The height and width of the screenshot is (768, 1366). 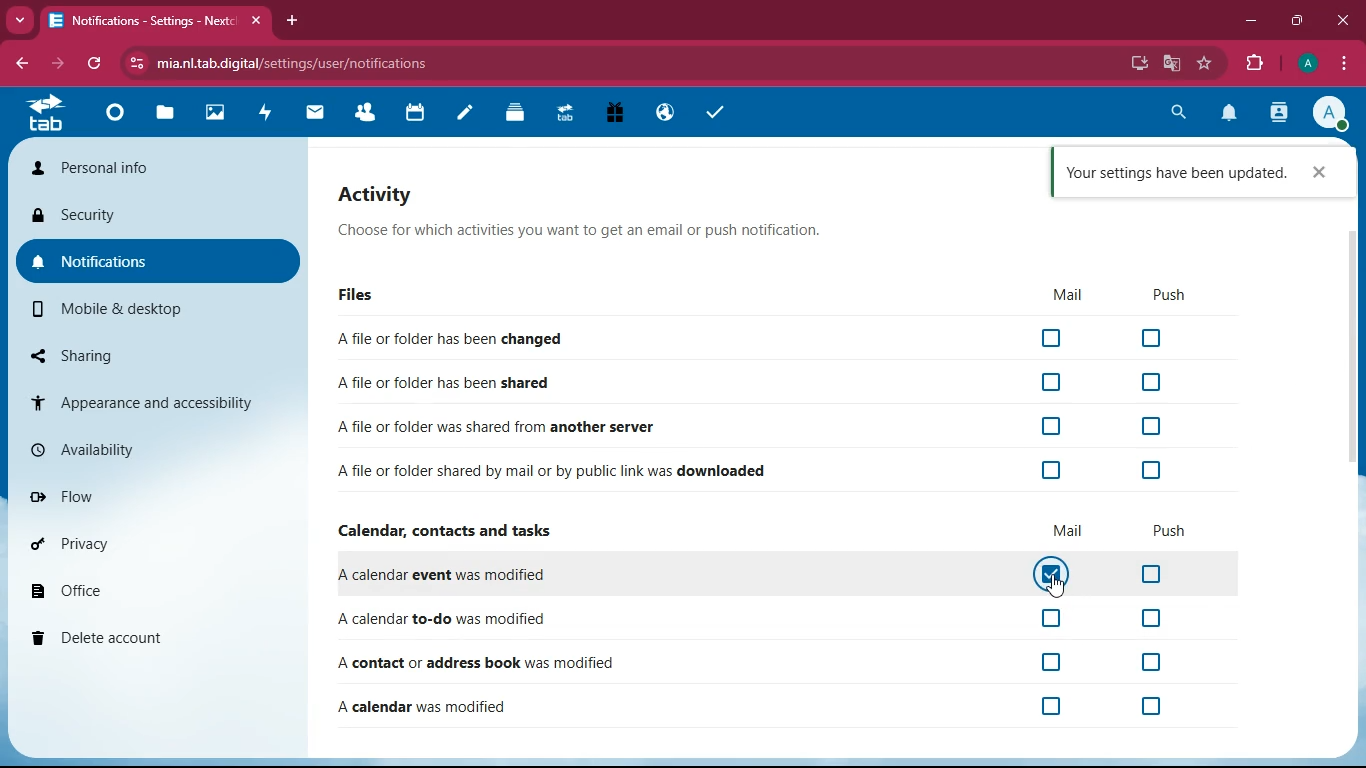 What do you see at coordinates (1330, 114) in the screenshot?
I see `profile` at bounding box center [1330, 114].